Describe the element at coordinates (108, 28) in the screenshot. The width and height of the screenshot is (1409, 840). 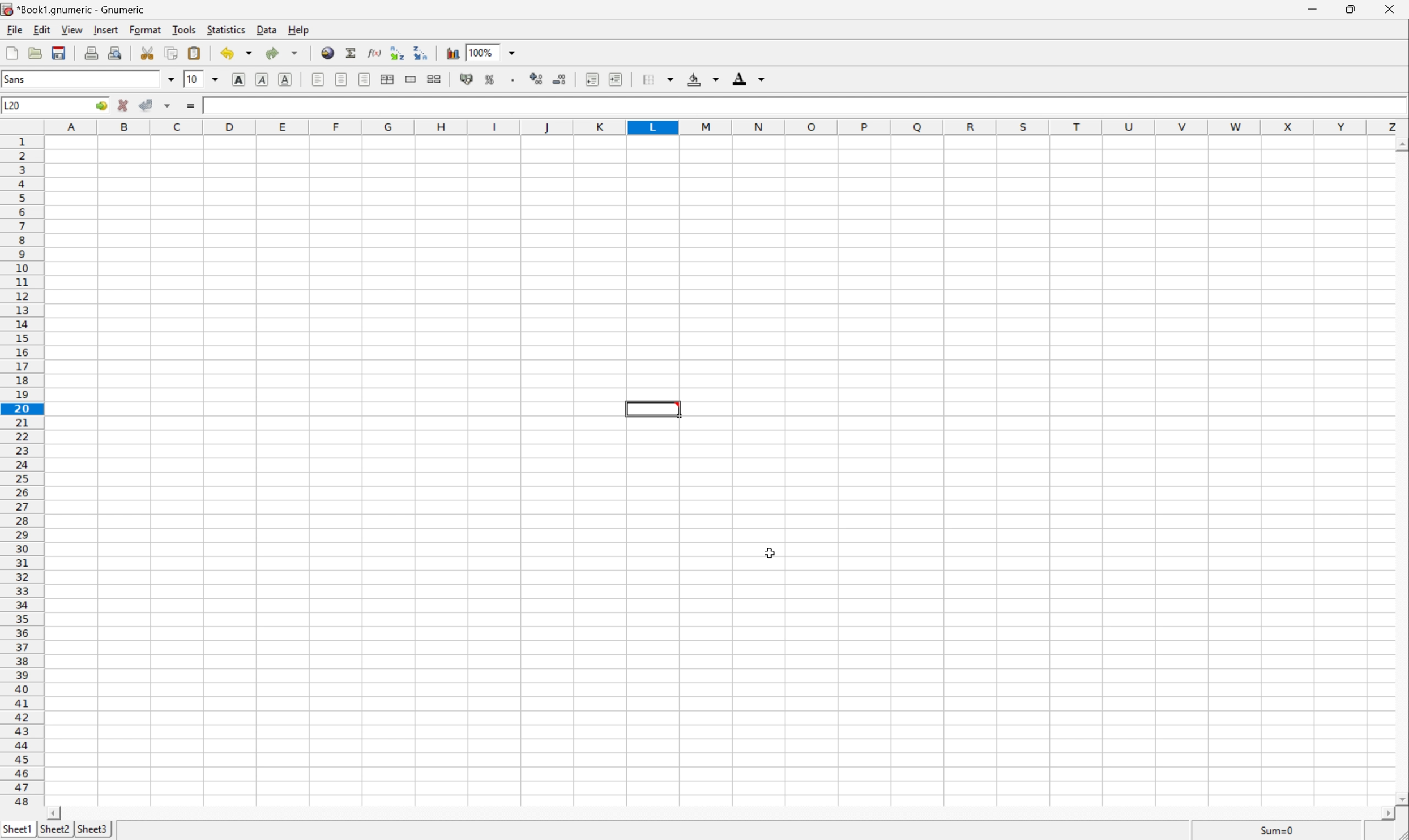
I see `Insert` at that location.